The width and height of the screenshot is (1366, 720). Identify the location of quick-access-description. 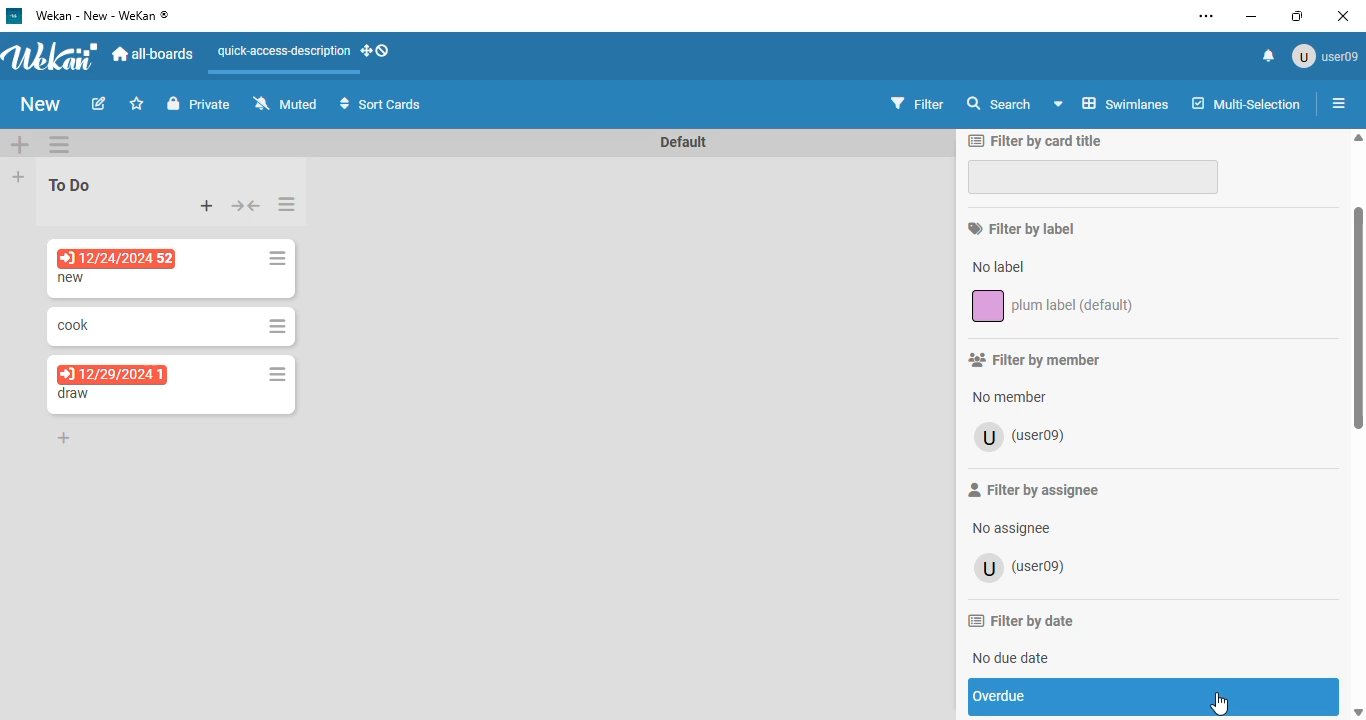
(283, 51).